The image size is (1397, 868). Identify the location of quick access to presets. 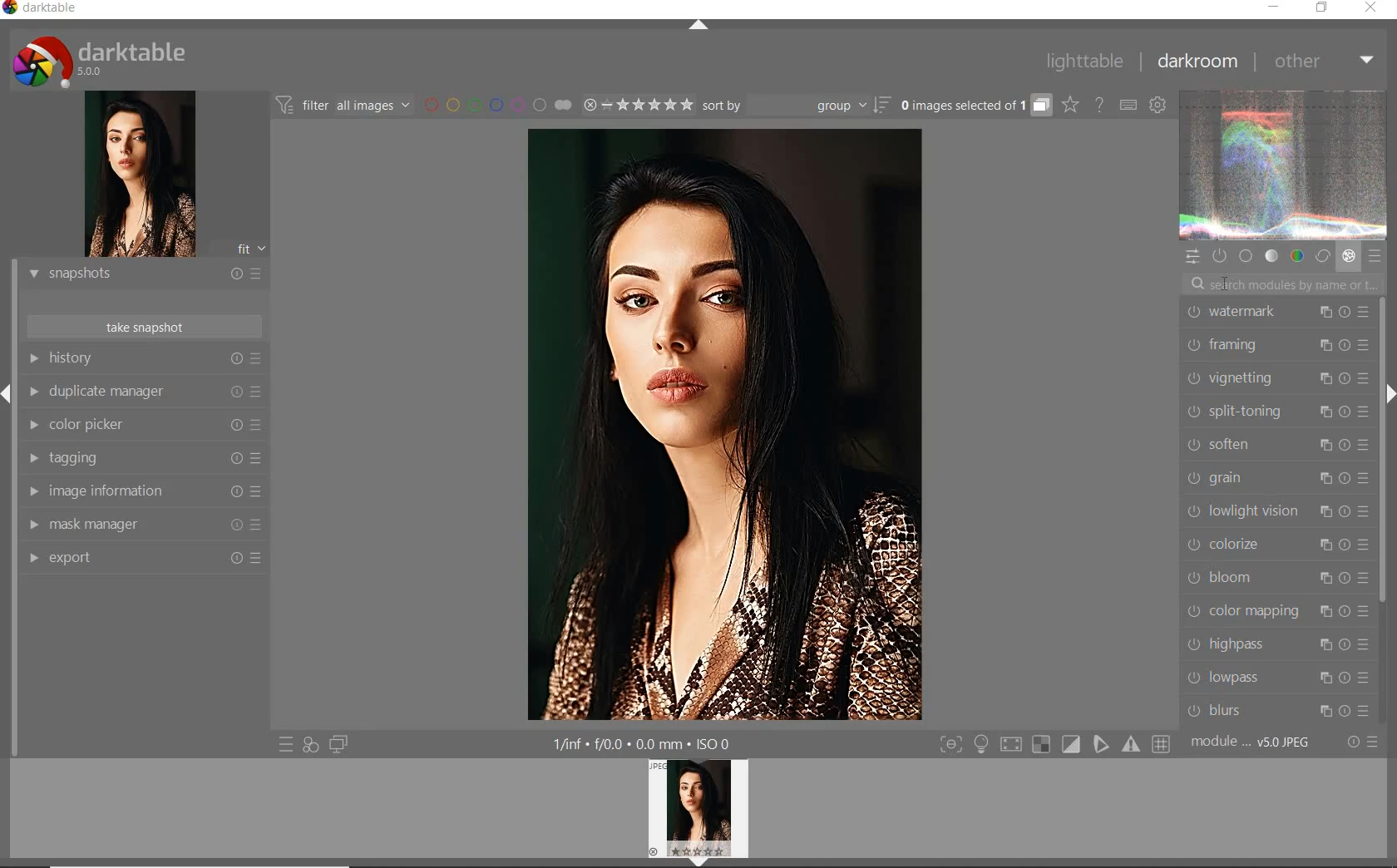
(284, 744).